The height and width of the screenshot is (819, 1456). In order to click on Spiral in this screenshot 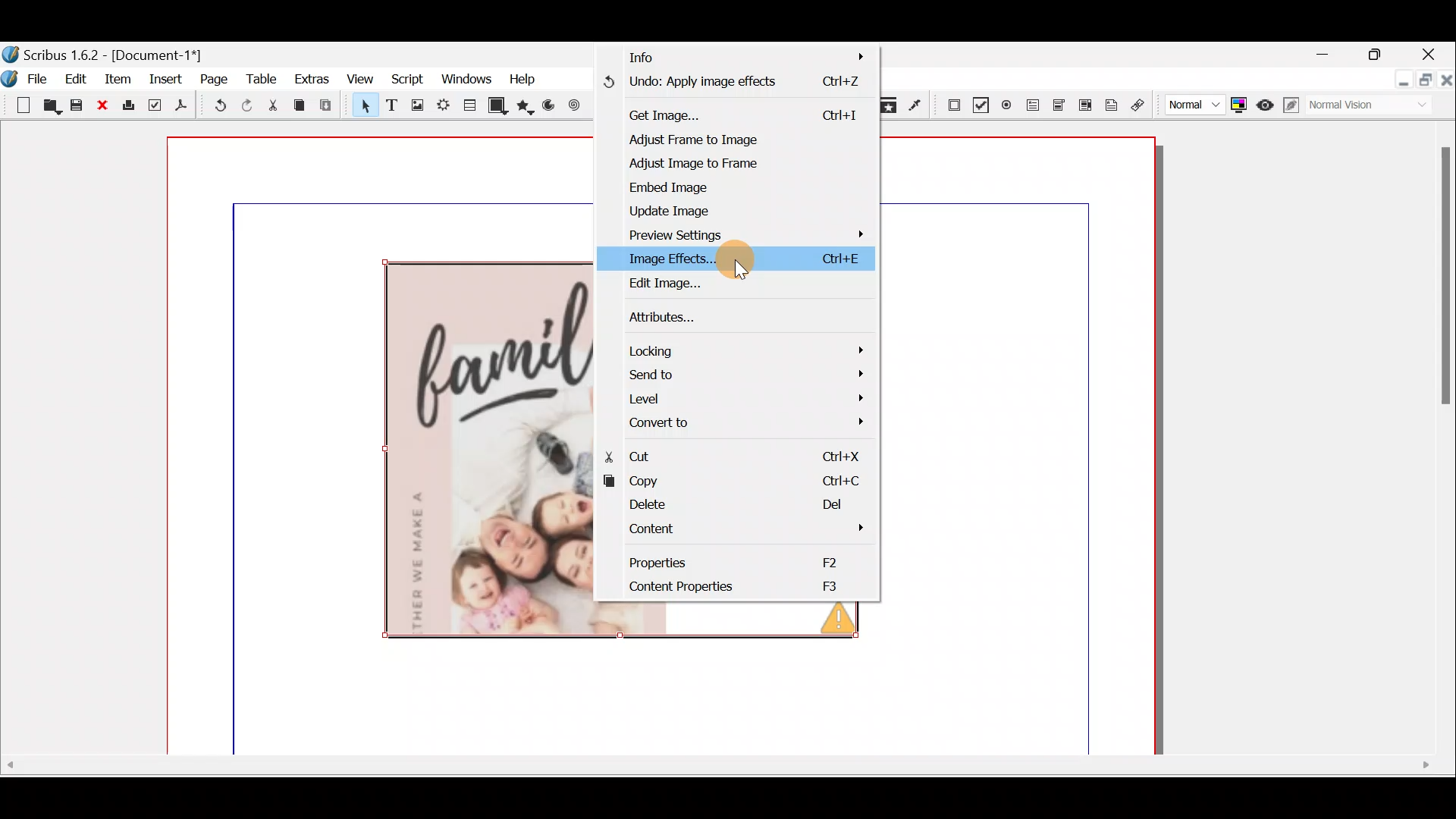, I will do `click(572, 104)`.